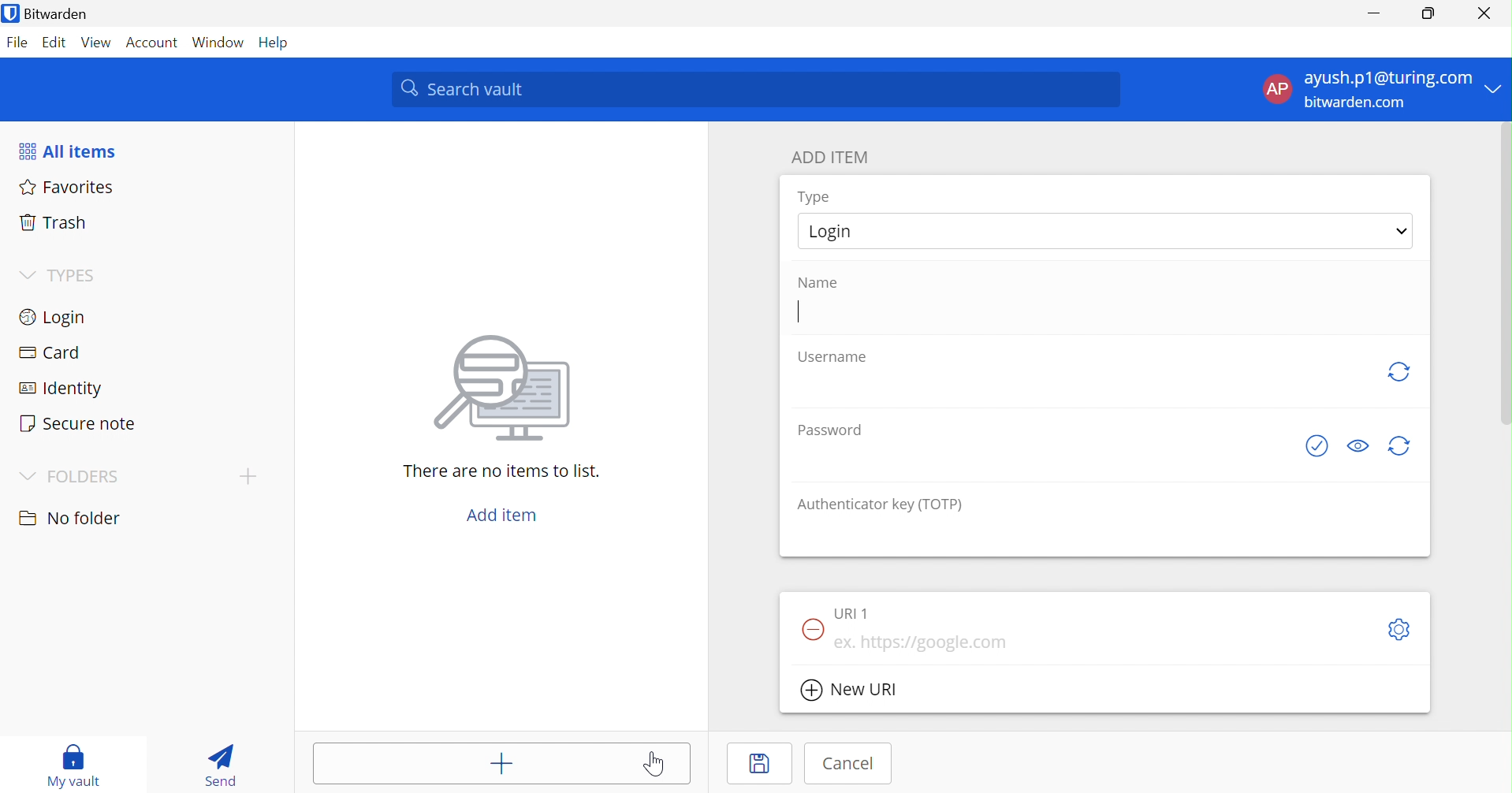 This screenshot has width=1512, height=793. I want to click on Save, so click(760, 762).